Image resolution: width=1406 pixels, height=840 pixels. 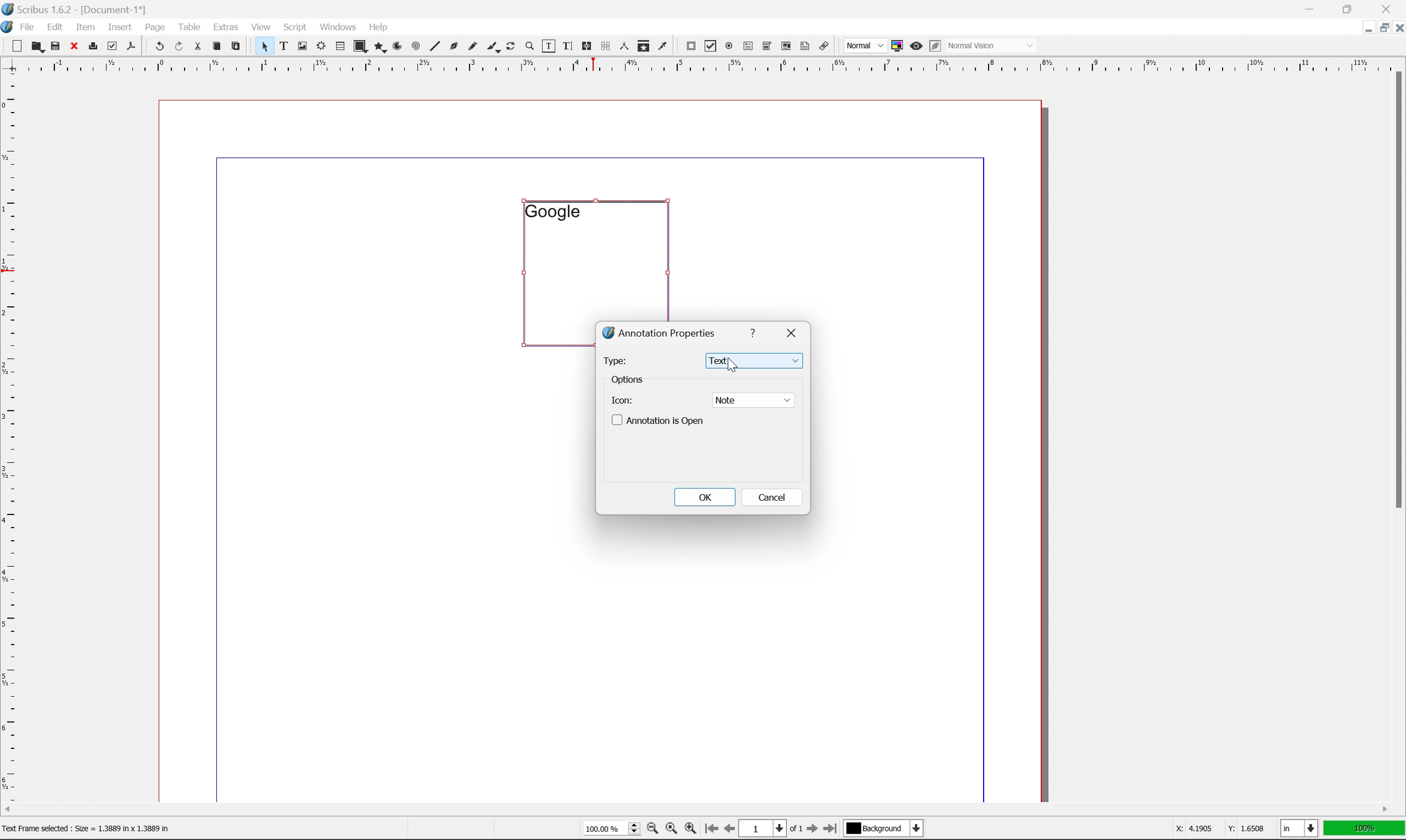 I want to click on save, so click(x=55, y=46).